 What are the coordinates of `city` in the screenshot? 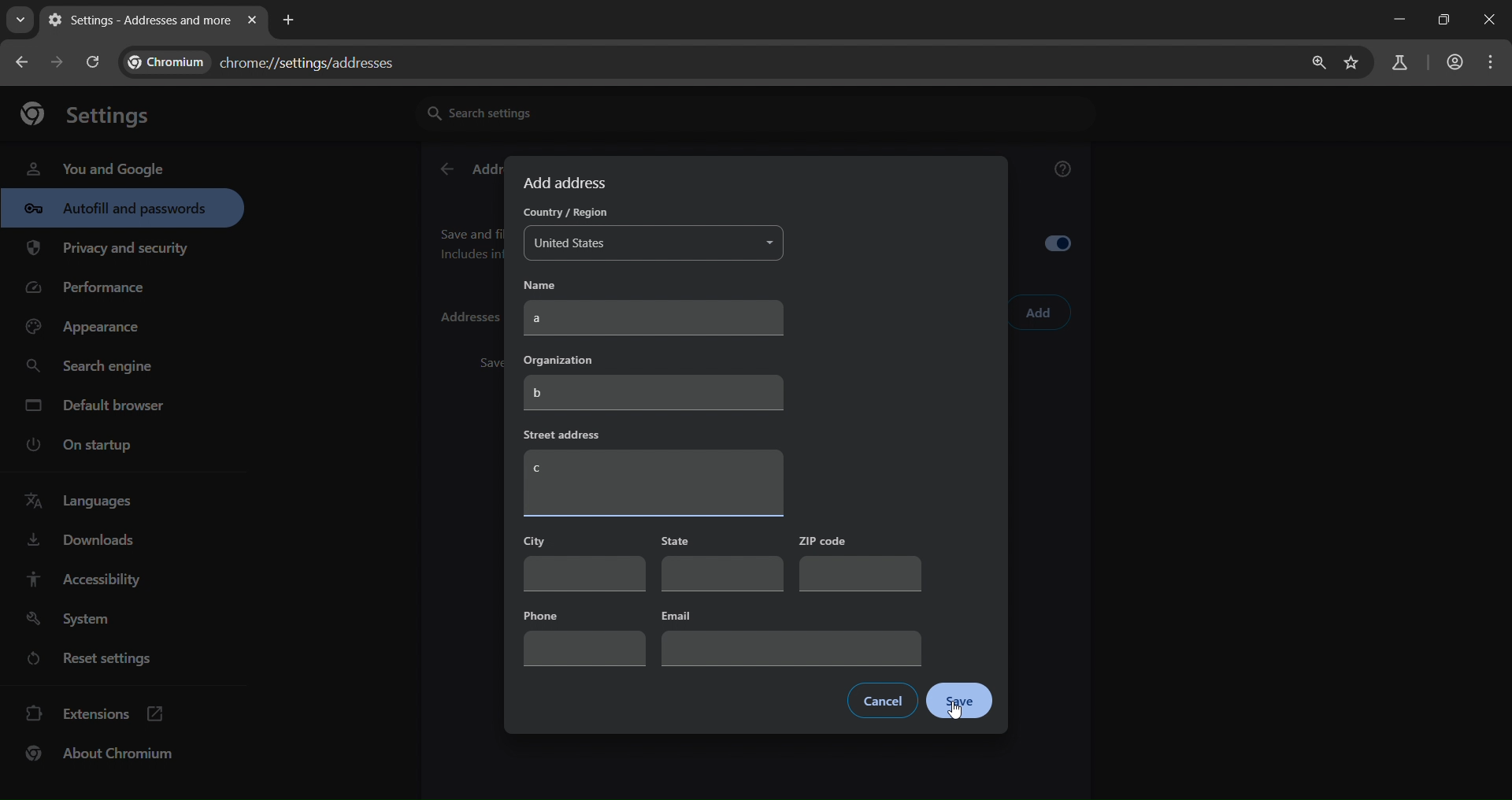 It's located at (582, 561).